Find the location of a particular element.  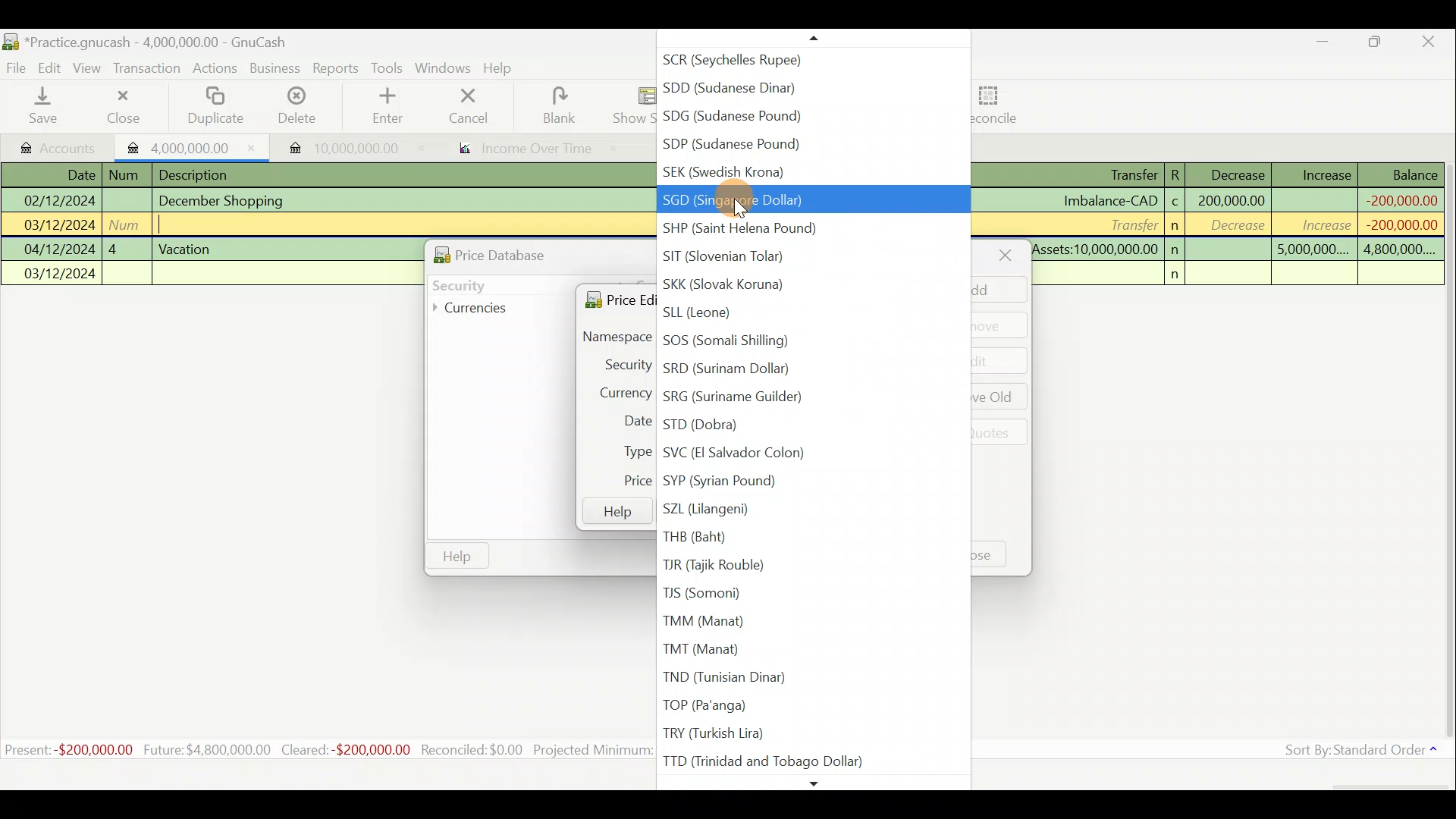

Price is located at coordinates (629, 481).